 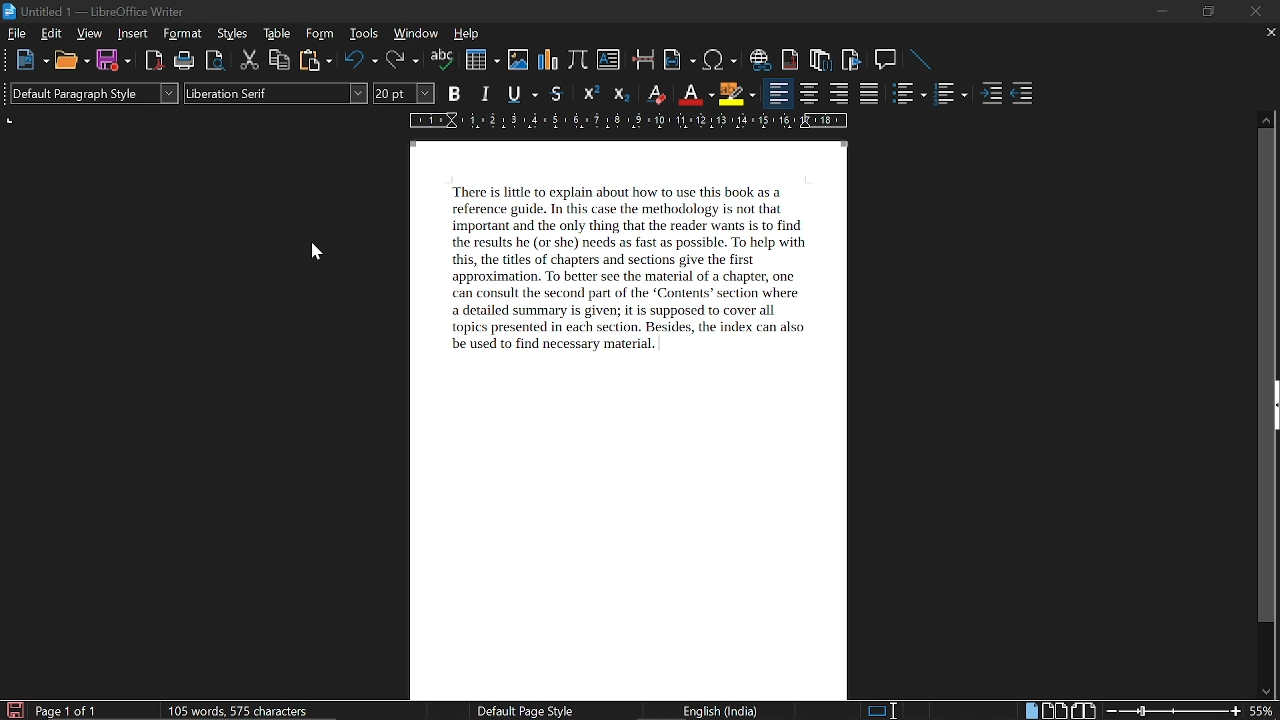 I want to click on insert bookmark, so click(x=853, y=60).